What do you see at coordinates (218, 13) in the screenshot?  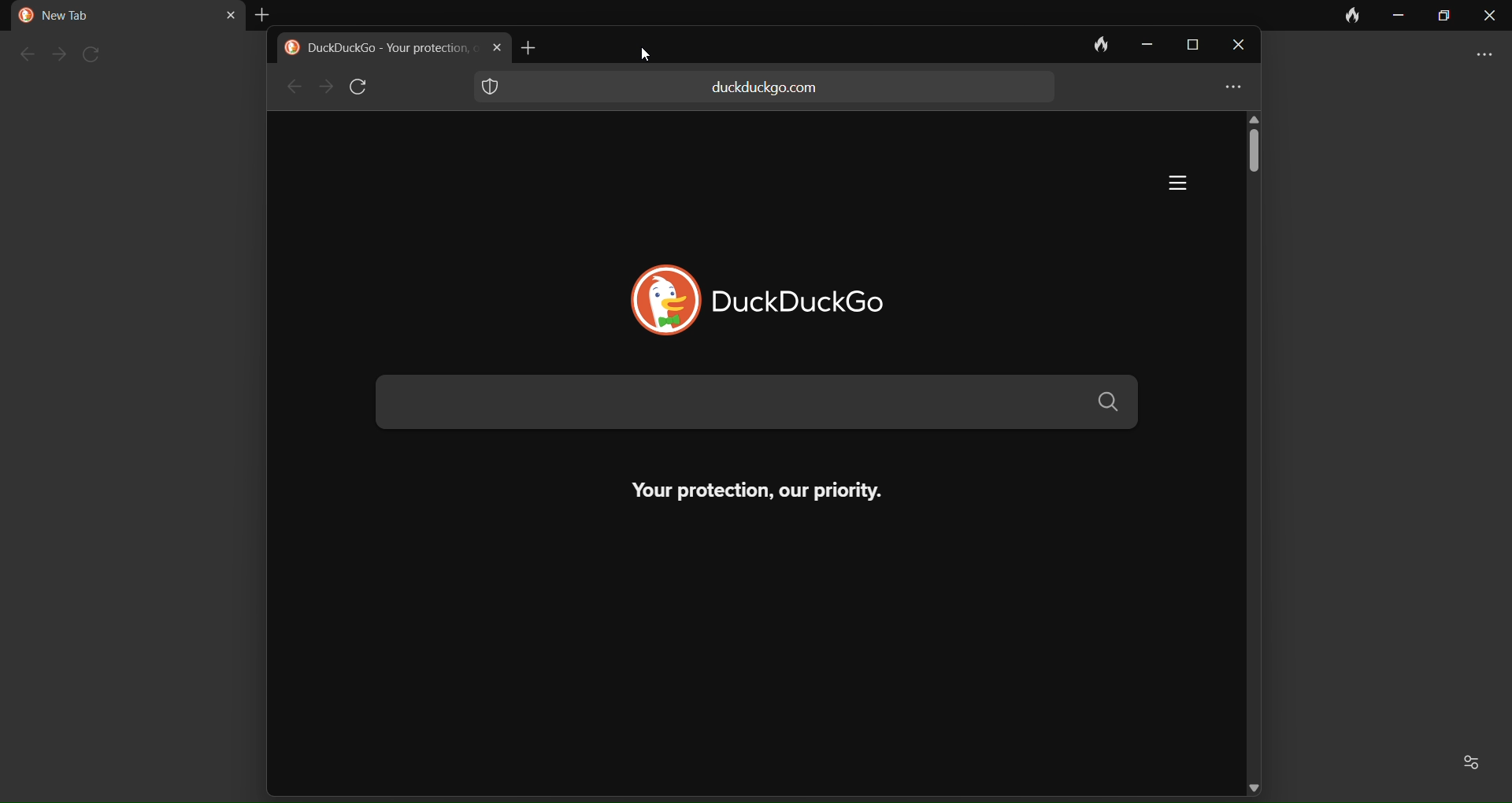 I see `close tab` at bounding box center [218, 13].